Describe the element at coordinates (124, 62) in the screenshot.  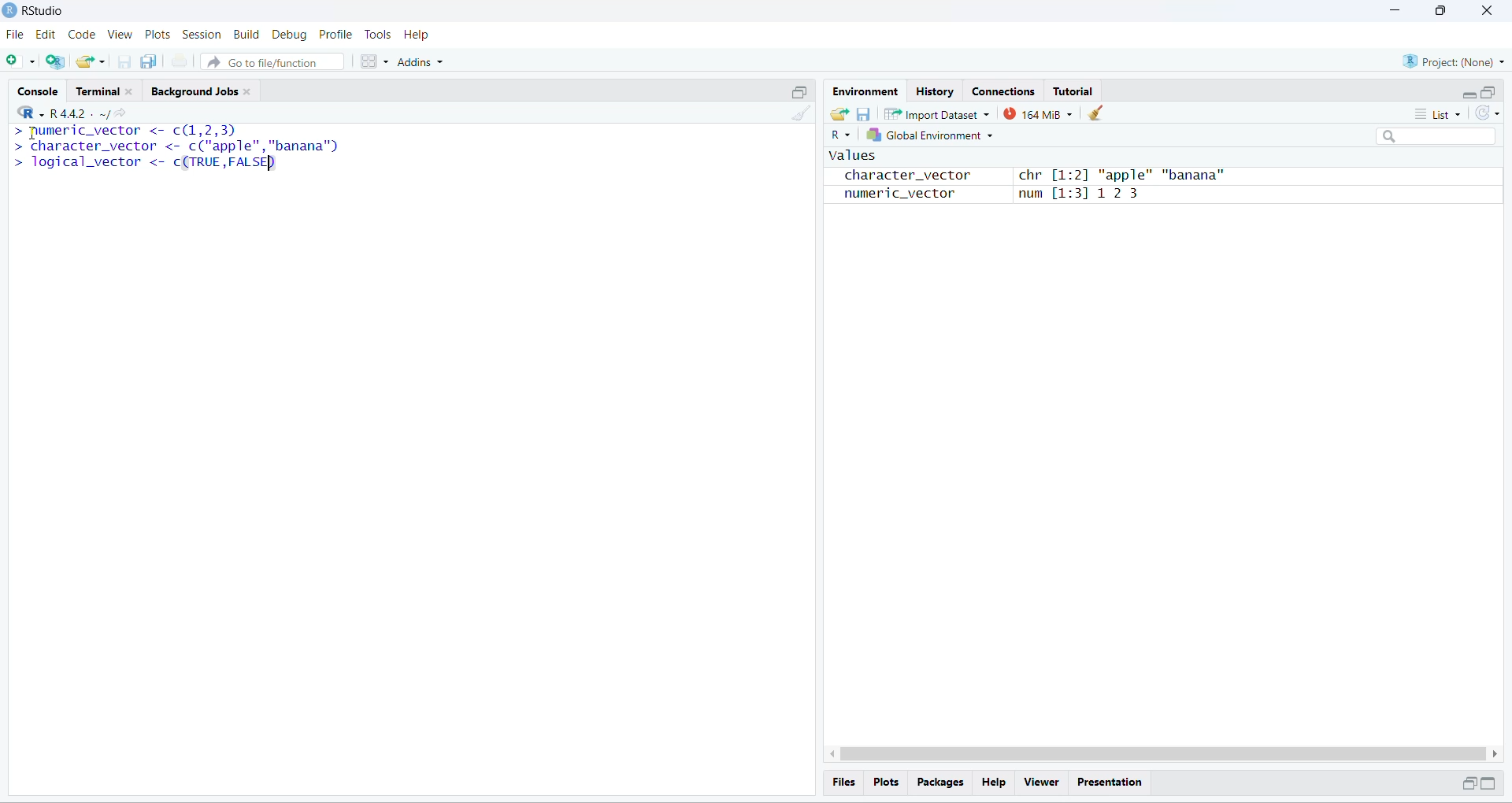
I see `save current document` at that location.